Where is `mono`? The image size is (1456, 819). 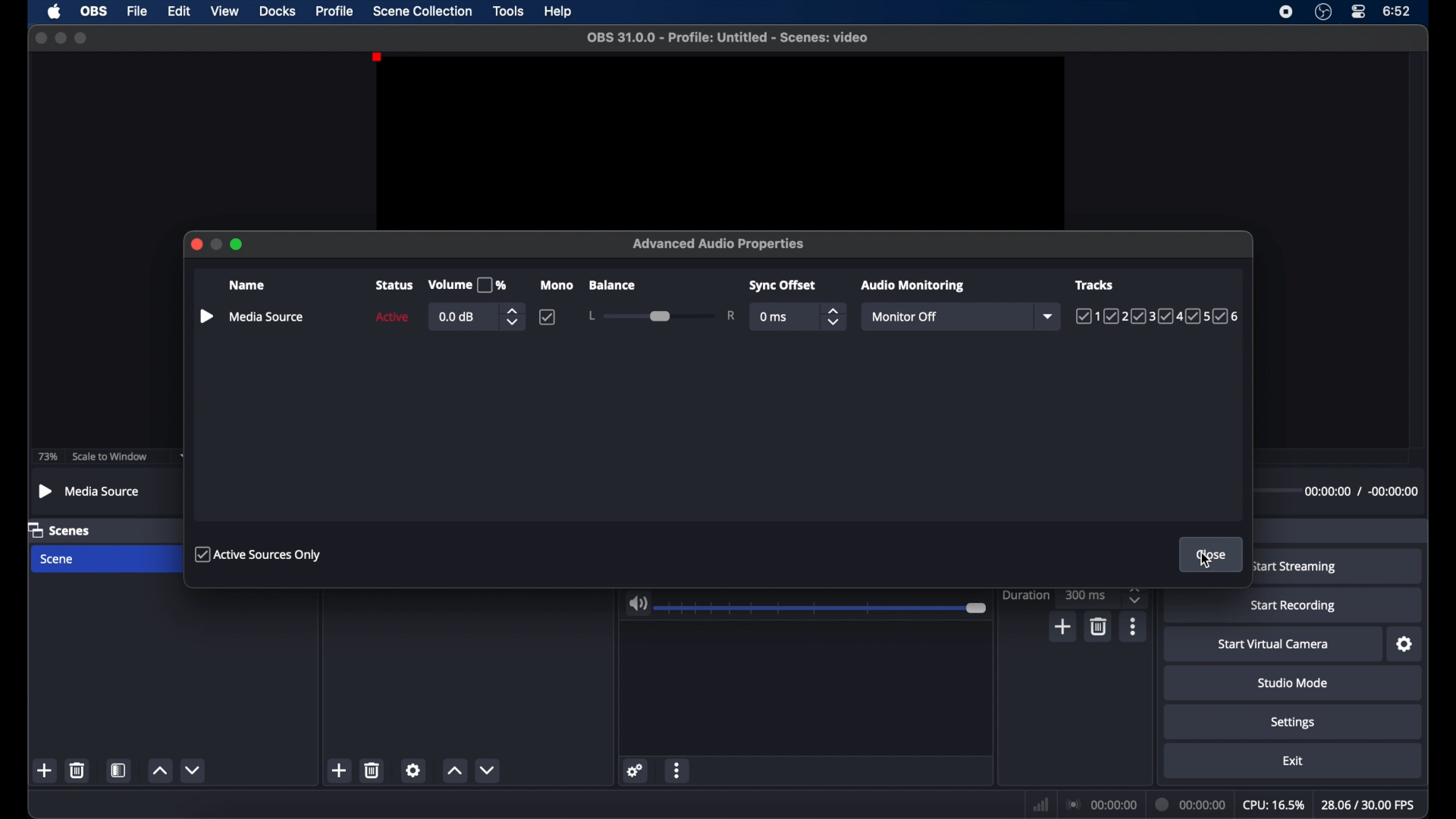
mono is located at coordinates (556, 286).